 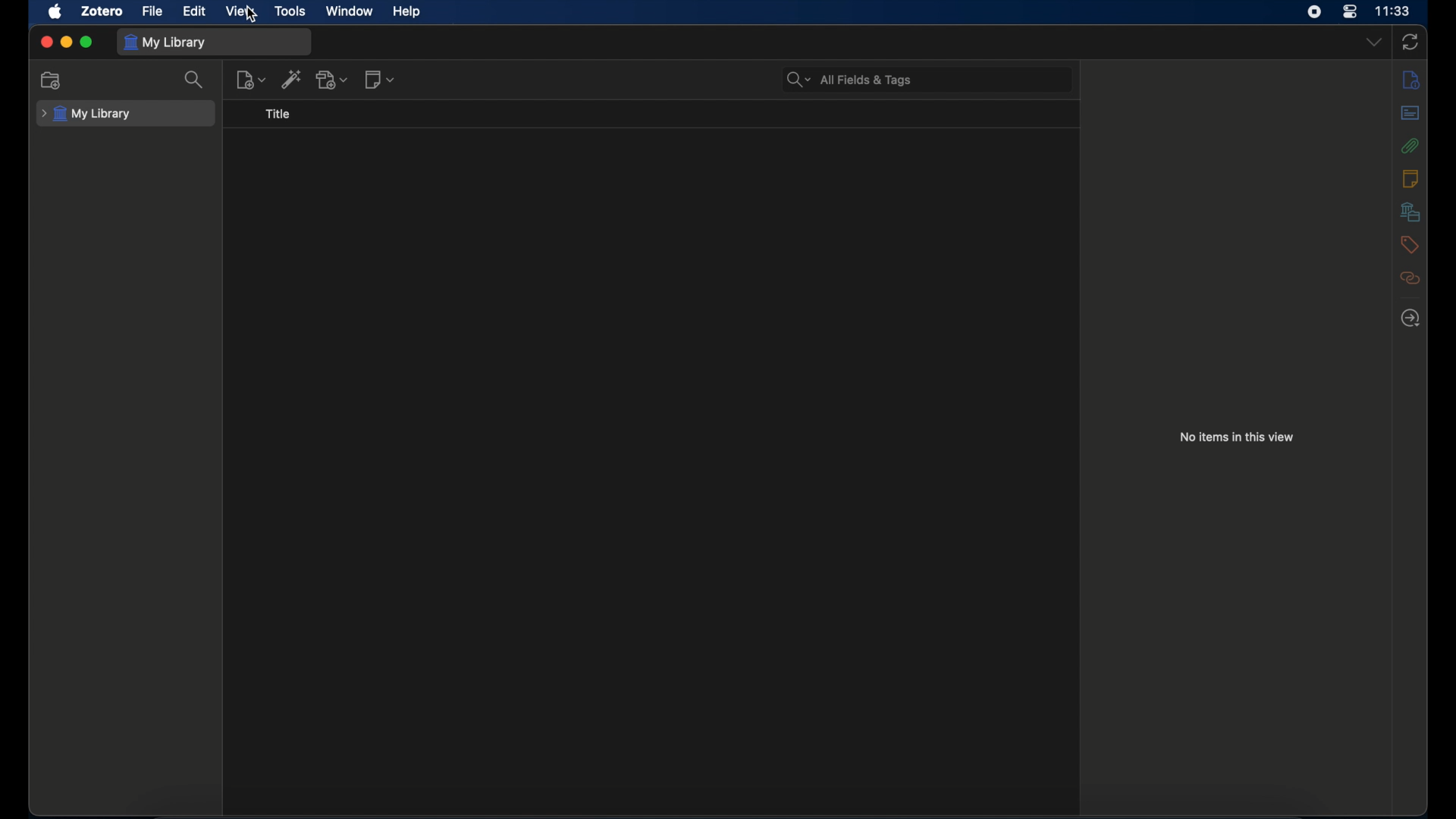 I want to click on related, so click(x=1410, y=278).